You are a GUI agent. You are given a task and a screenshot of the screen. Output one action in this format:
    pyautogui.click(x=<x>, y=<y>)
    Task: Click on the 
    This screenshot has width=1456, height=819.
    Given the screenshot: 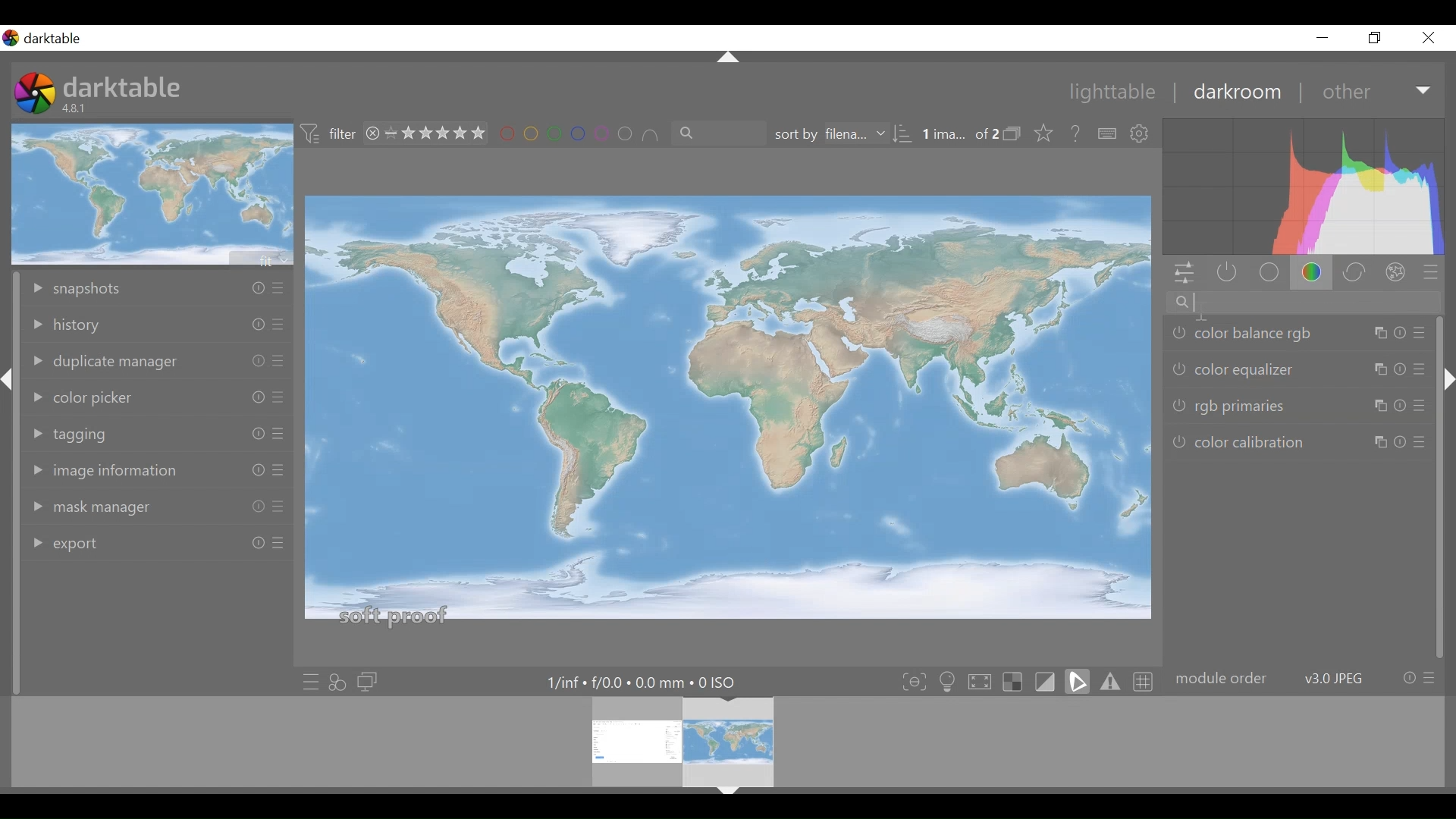 What is the action you would take?
    pyautogui.click(x=278, y=290)
    